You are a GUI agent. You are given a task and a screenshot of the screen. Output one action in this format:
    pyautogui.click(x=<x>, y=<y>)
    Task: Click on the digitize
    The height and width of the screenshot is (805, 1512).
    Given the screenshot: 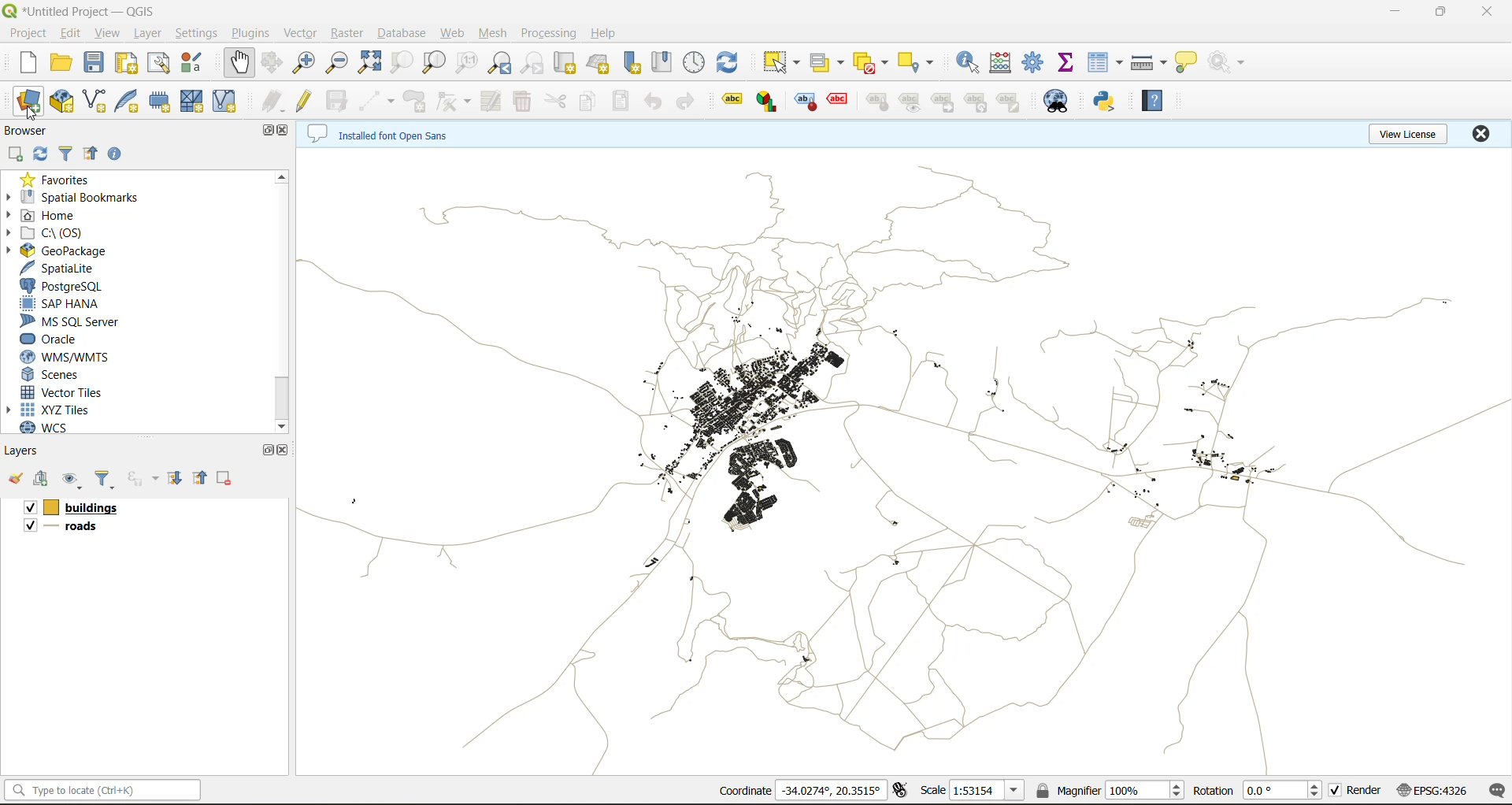 What is the action you would take?
    pyautogui.click(x=377, y=102)
    